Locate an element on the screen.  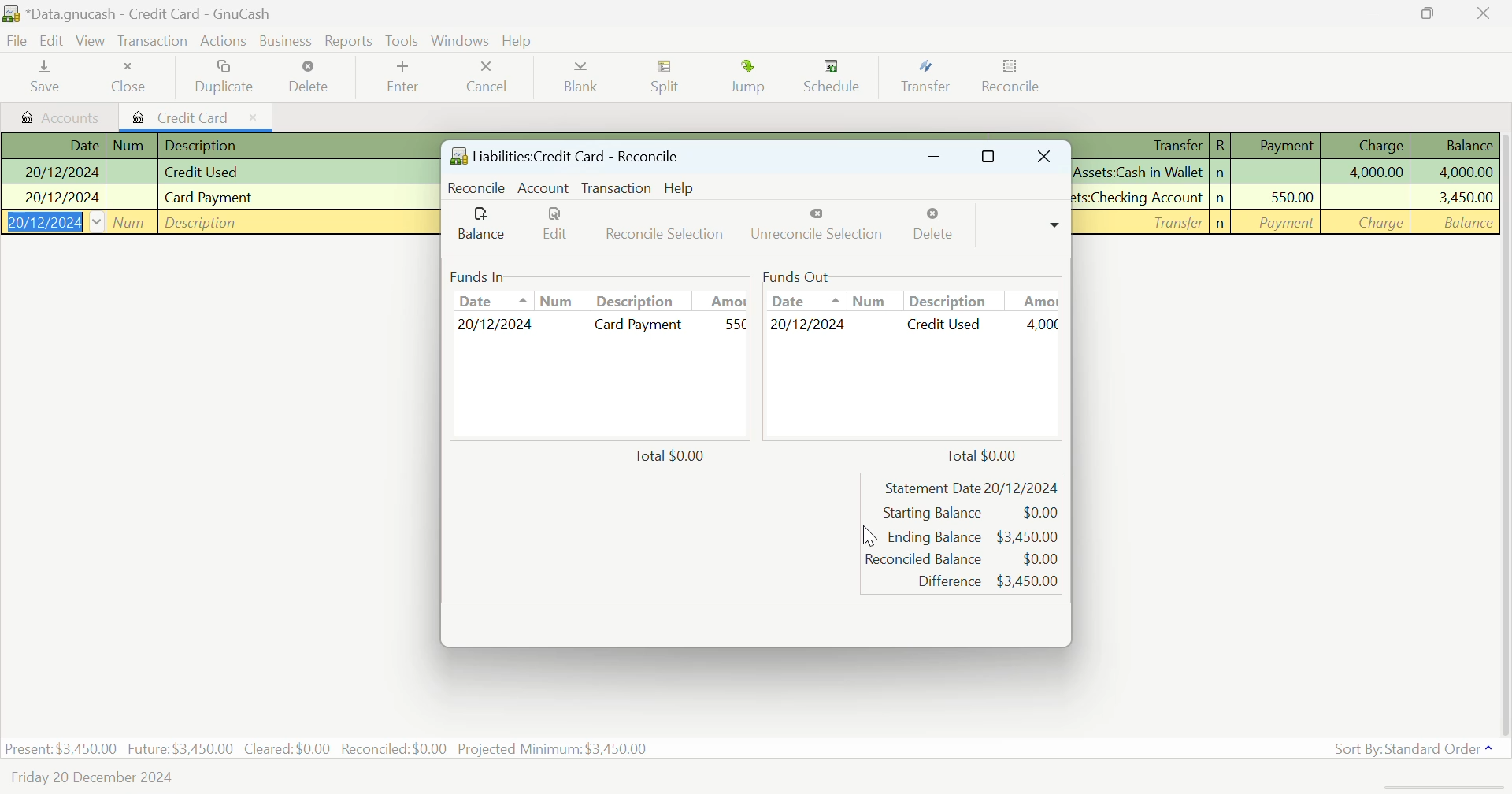
Cancel is located at coordinates (491, 78).